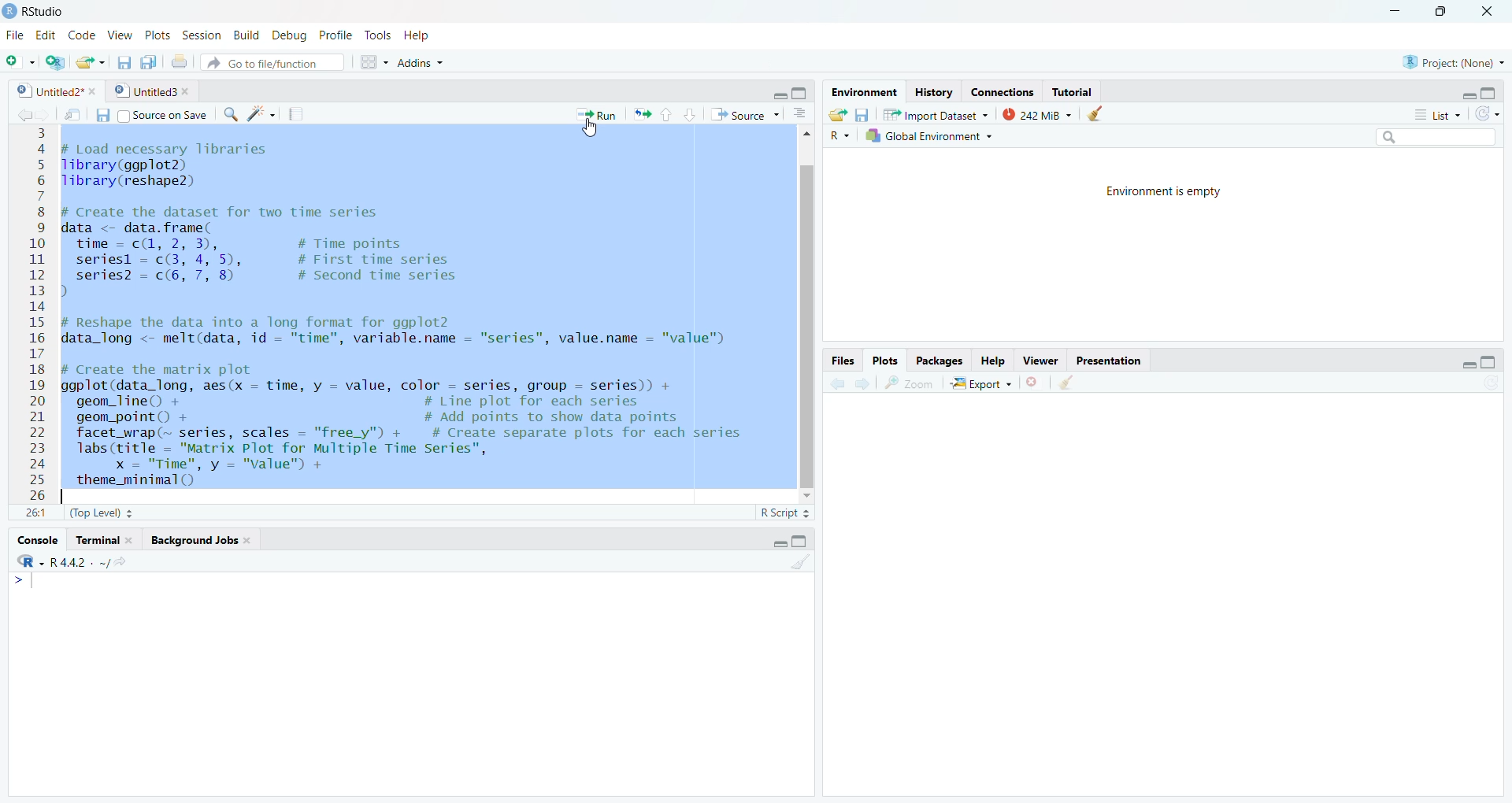 The height and width of the screenshot is (803, 1512). Describe the element at coordinates (201, 35) in the screenshot. I see `Session` at that location.